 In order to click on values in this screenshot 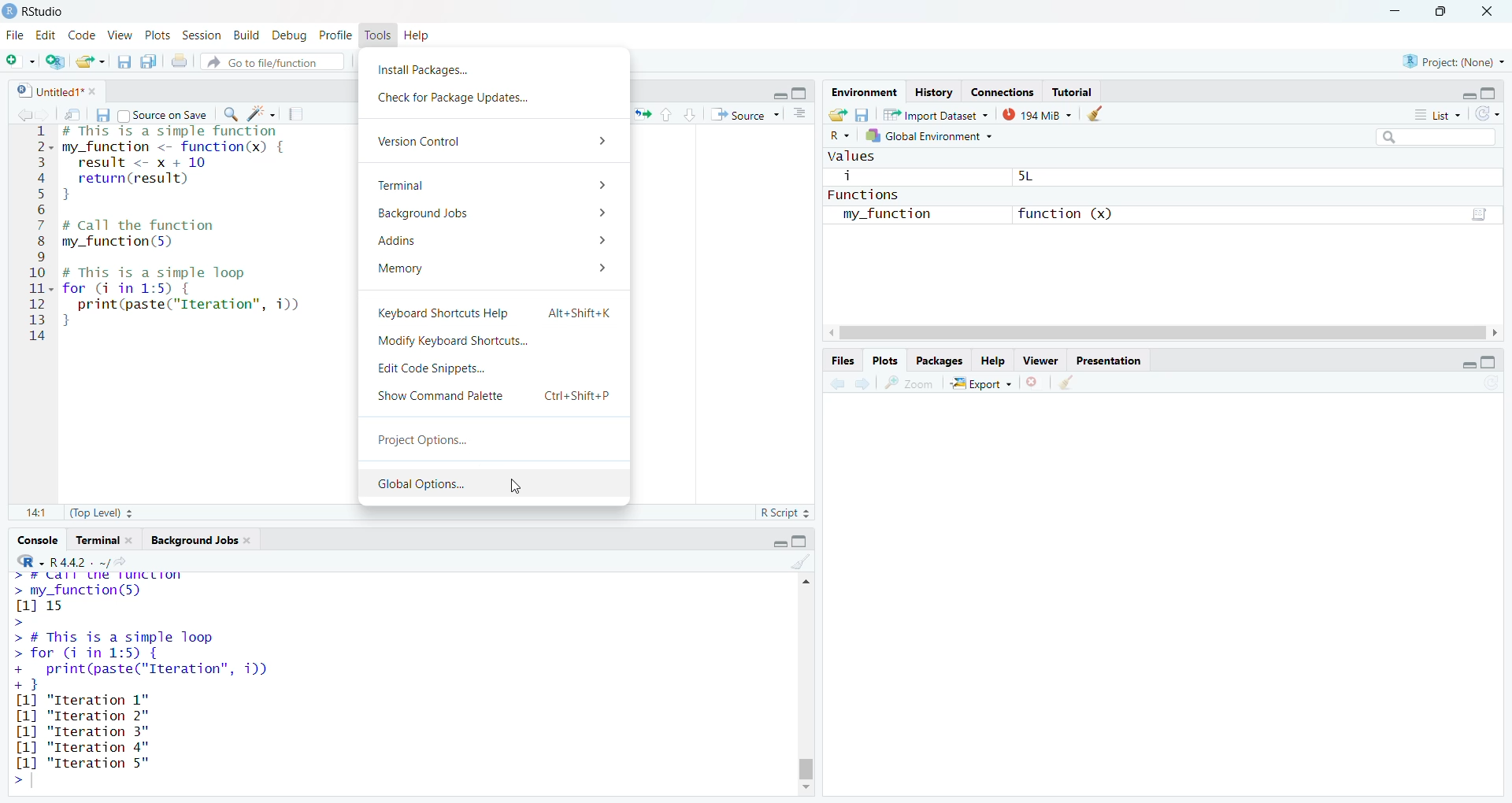, I will do `click(853, 157)`.